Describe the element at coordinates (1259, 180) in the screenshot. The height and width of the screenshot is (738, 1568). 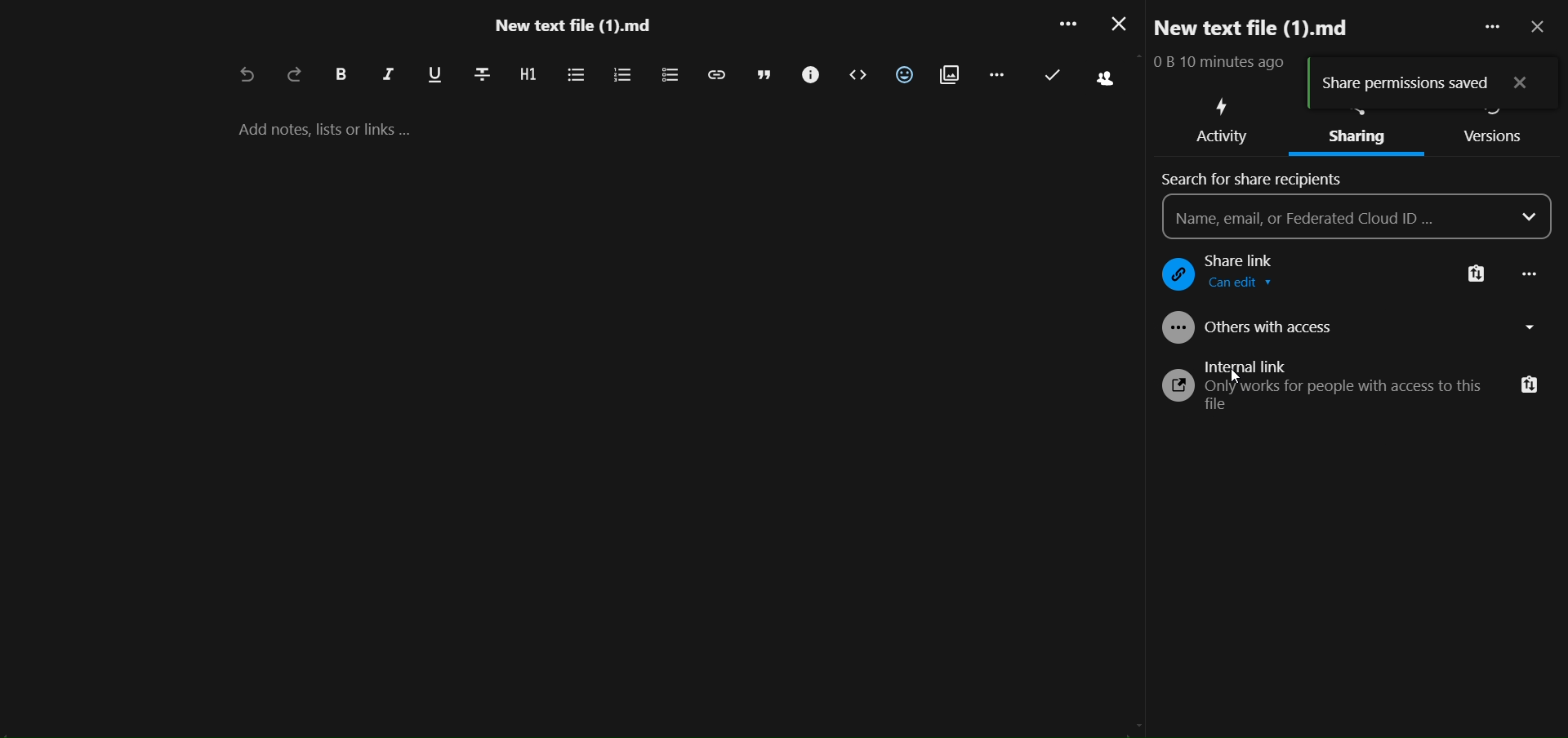
I see `search for share recipients` at that location.